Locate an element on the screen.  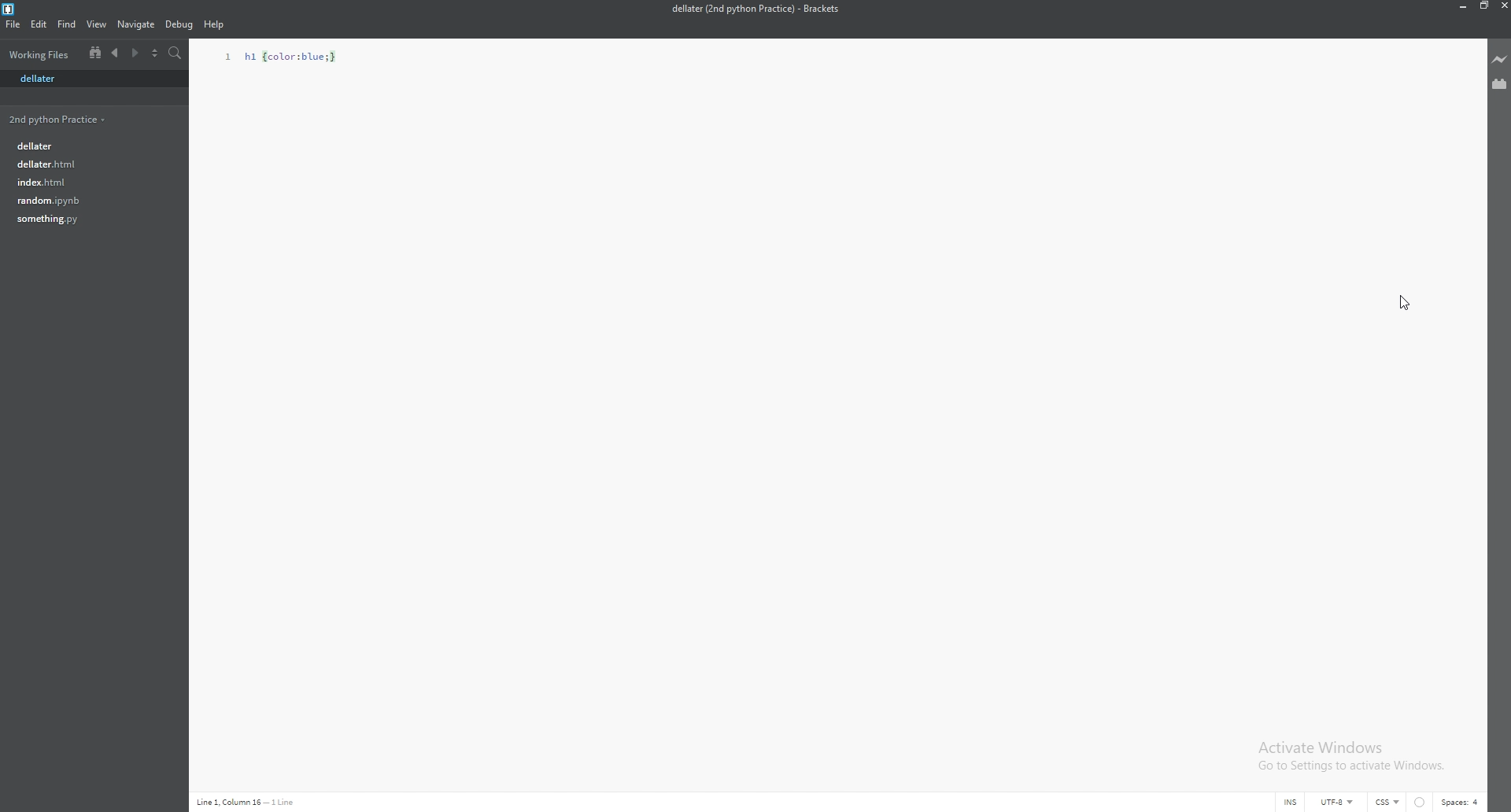
tree view is located at coordinates (95, 52).